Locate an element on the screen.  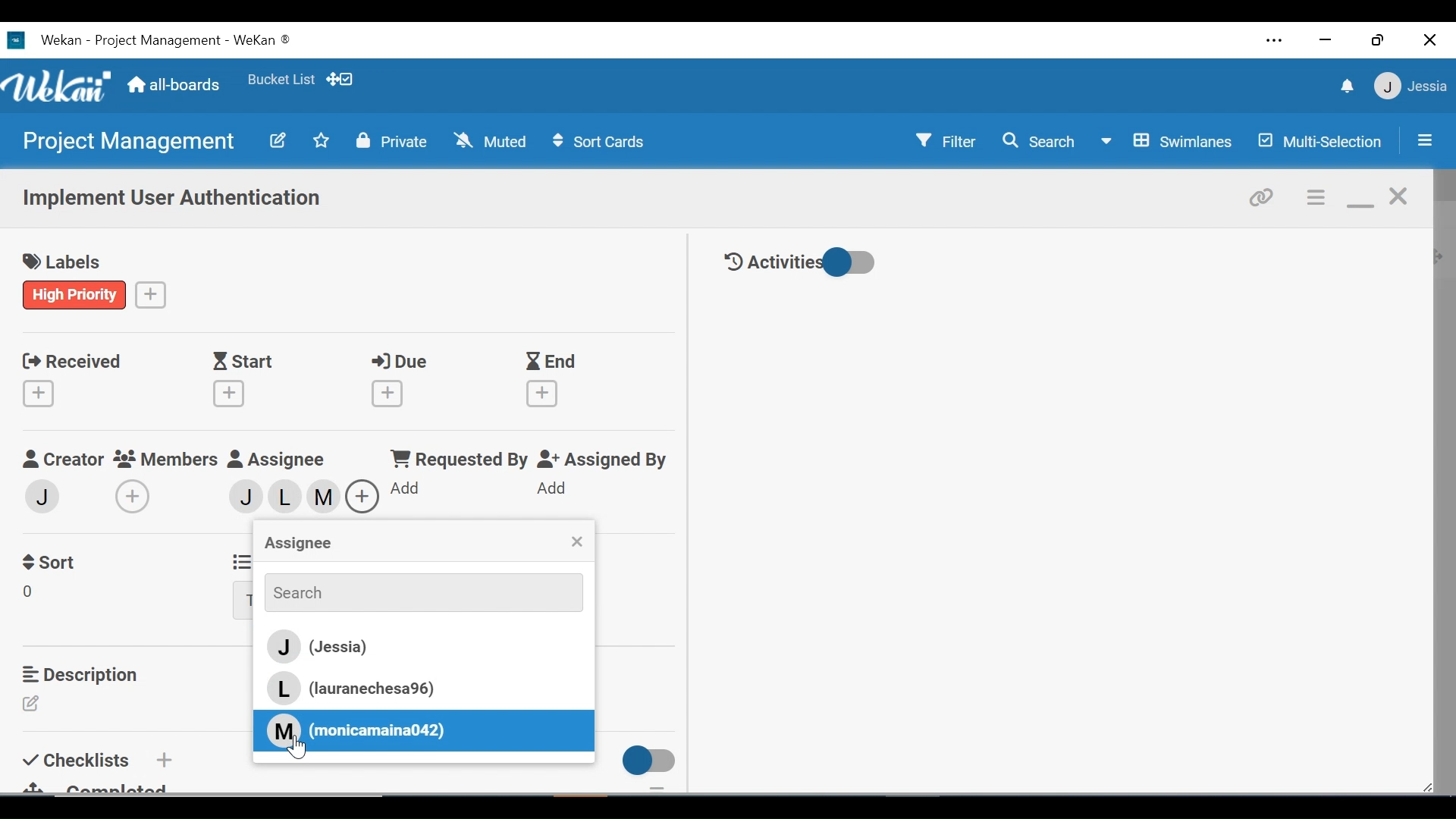
minimize is located at coordinates (1360, 199).